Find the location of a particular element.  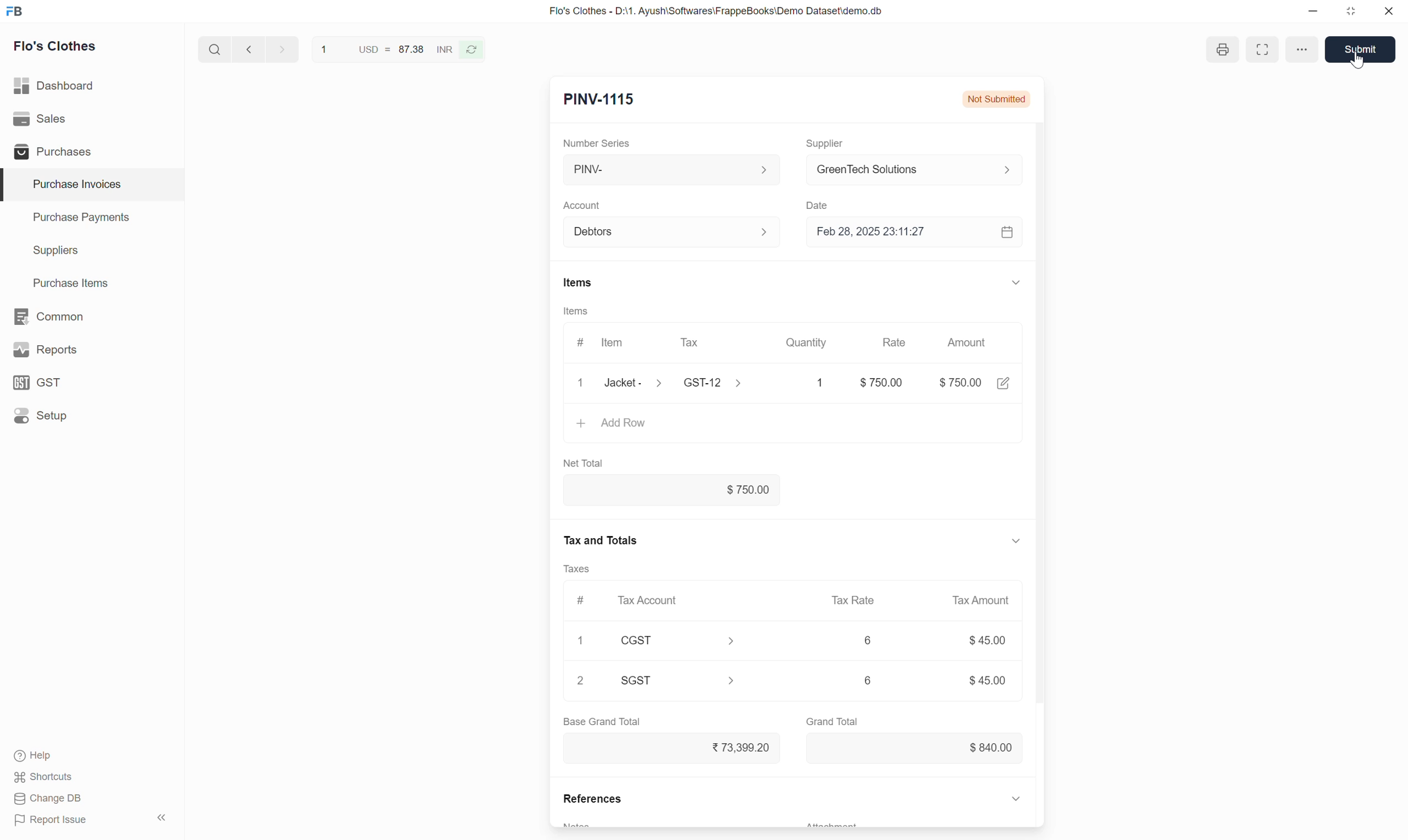

2 is located at coordinates (580, 680).